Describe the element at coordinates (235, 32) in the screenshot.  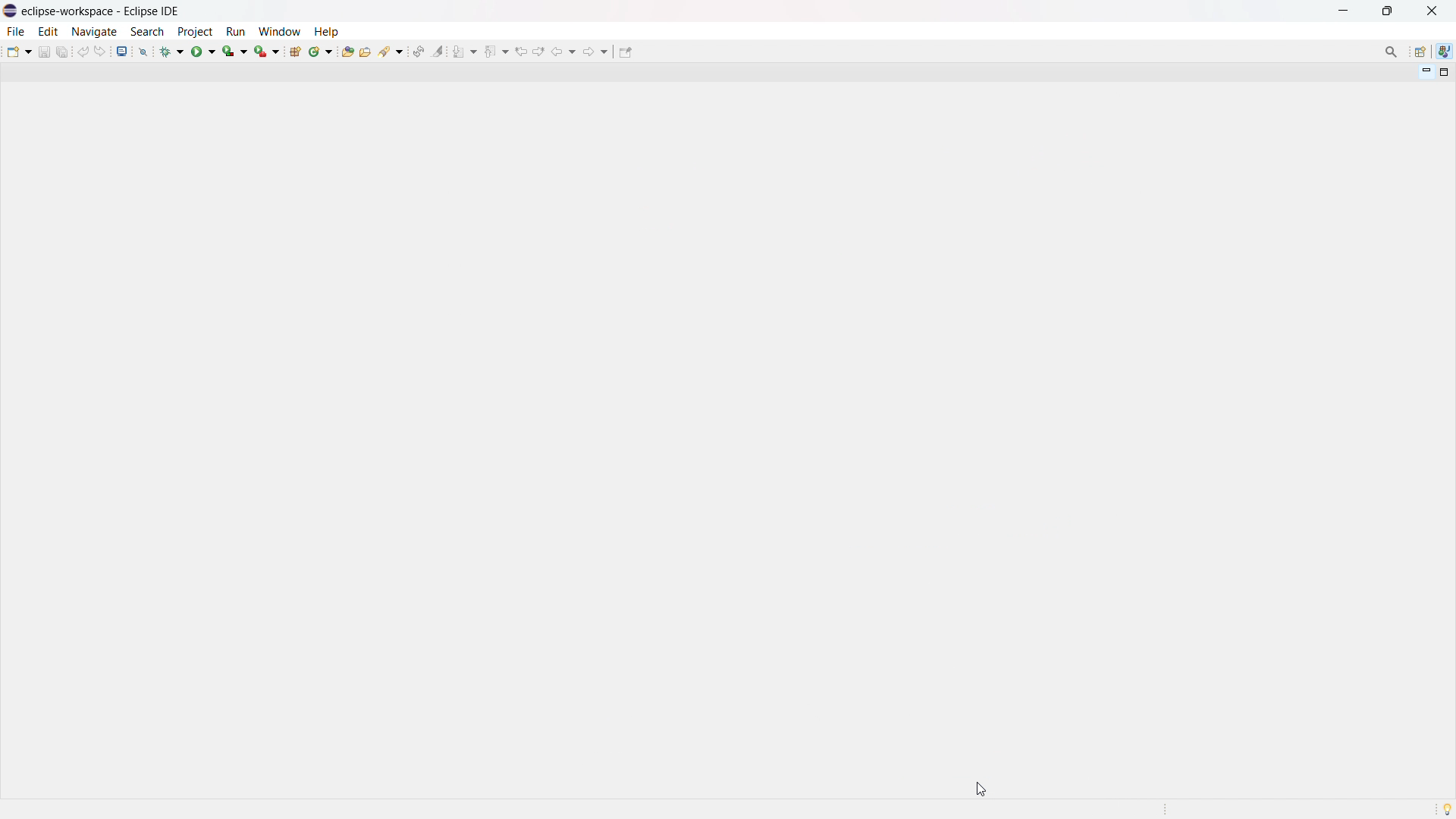
I see `run` at that location.